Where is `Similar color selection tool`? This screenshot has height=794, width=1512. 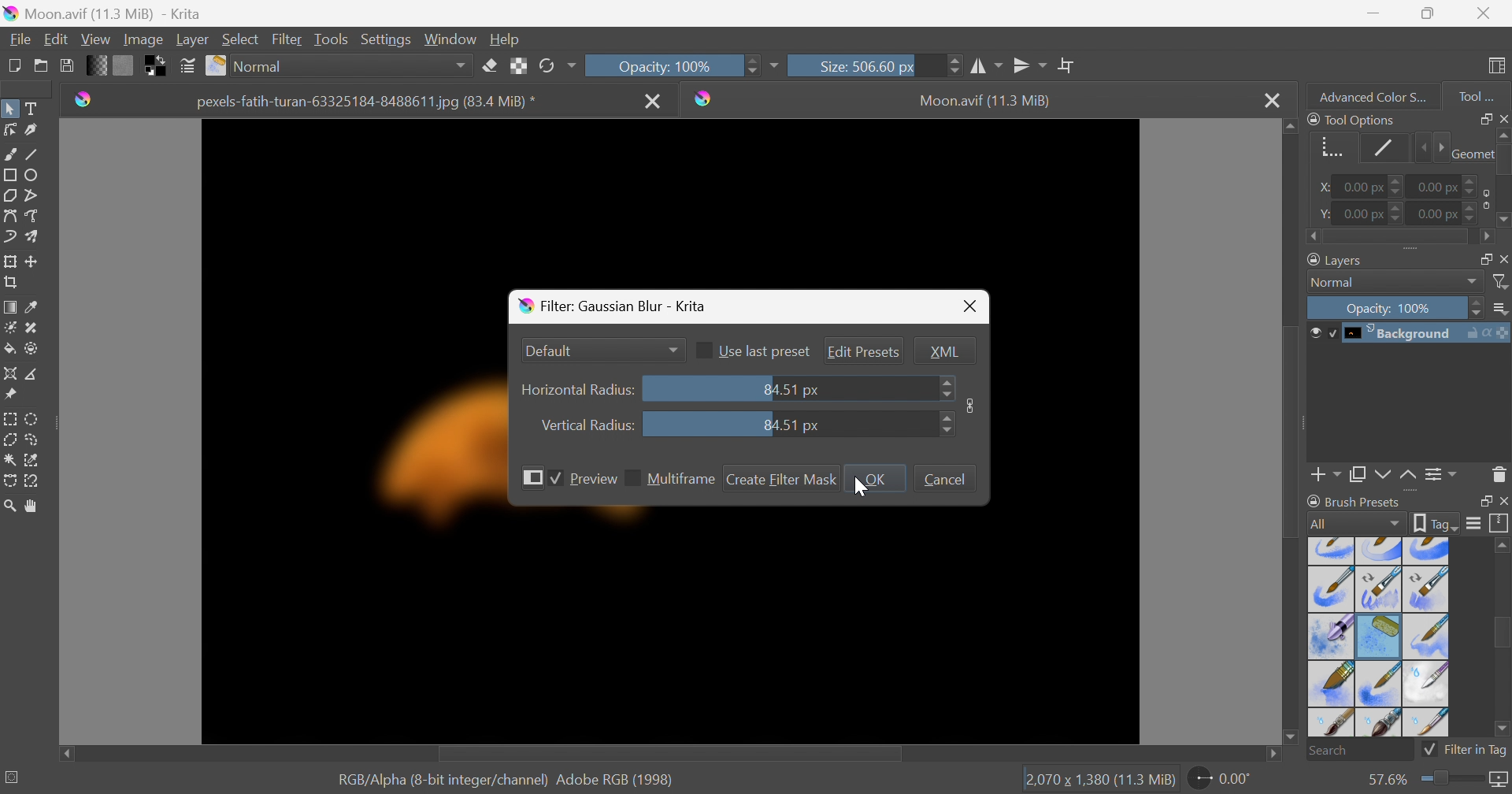
Similar color selection tool is located at coordinates (32, 461).